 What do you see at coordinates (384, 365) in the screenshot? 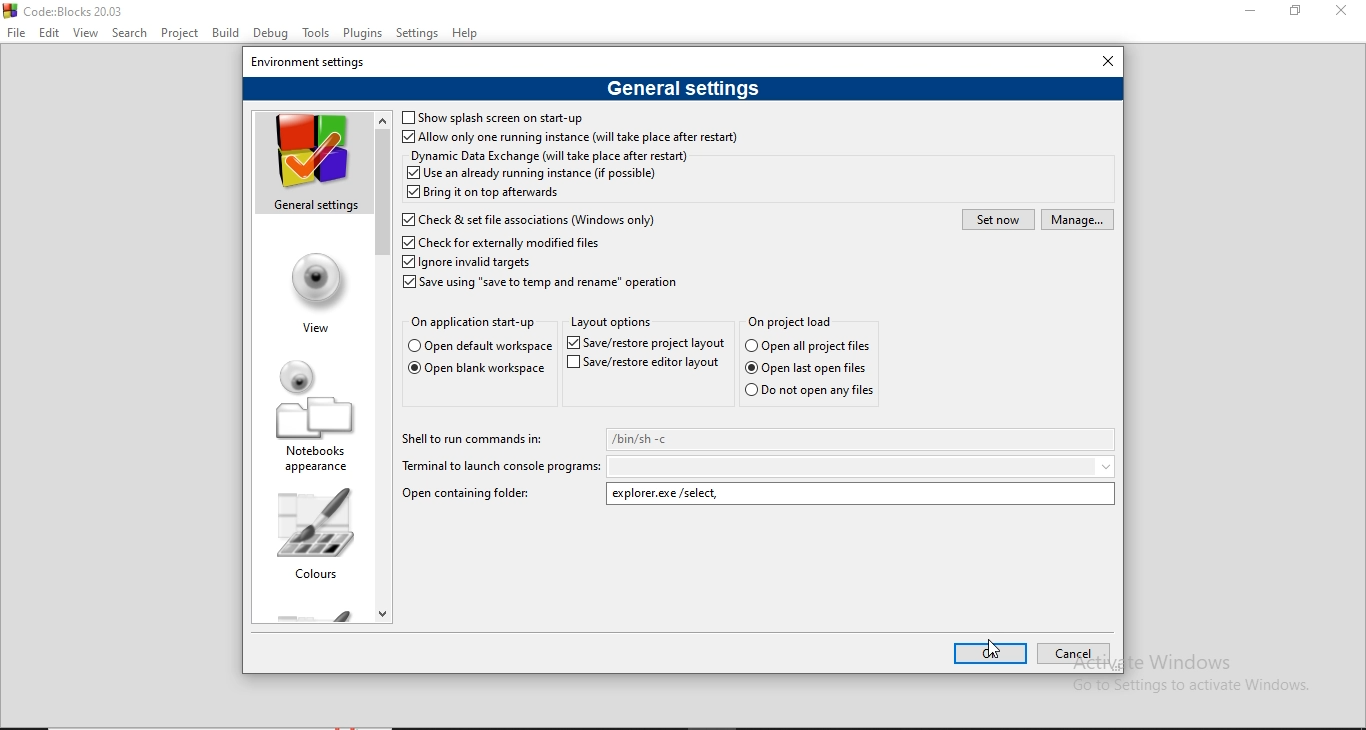
I see `scroll bar` at bounding box center [384, 365].